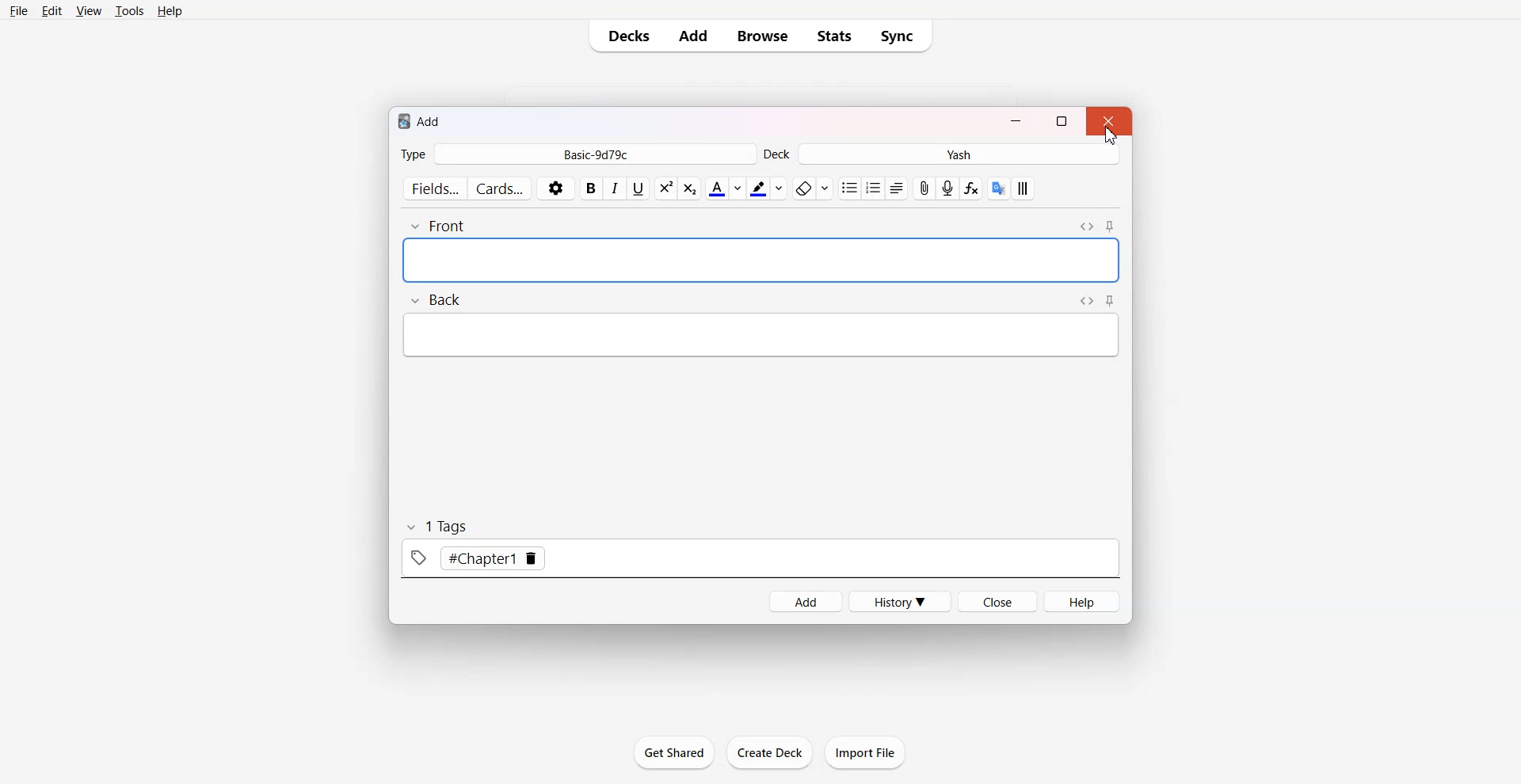  Describe the element at coordinates (436, 527) in the screenshot. I see `1 Tags` at that location.